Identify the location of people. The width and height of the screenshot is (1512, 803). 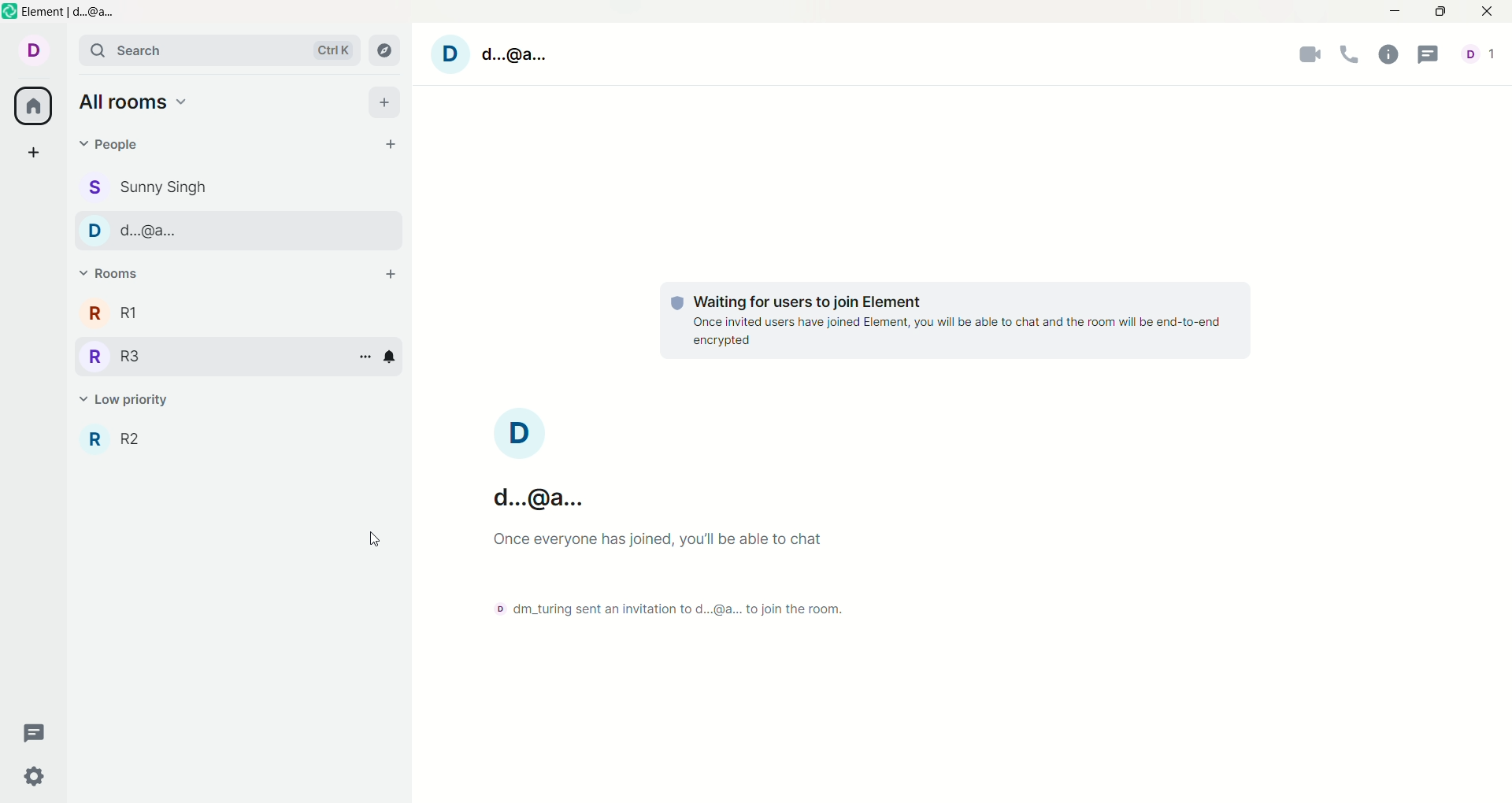
(147, 187).